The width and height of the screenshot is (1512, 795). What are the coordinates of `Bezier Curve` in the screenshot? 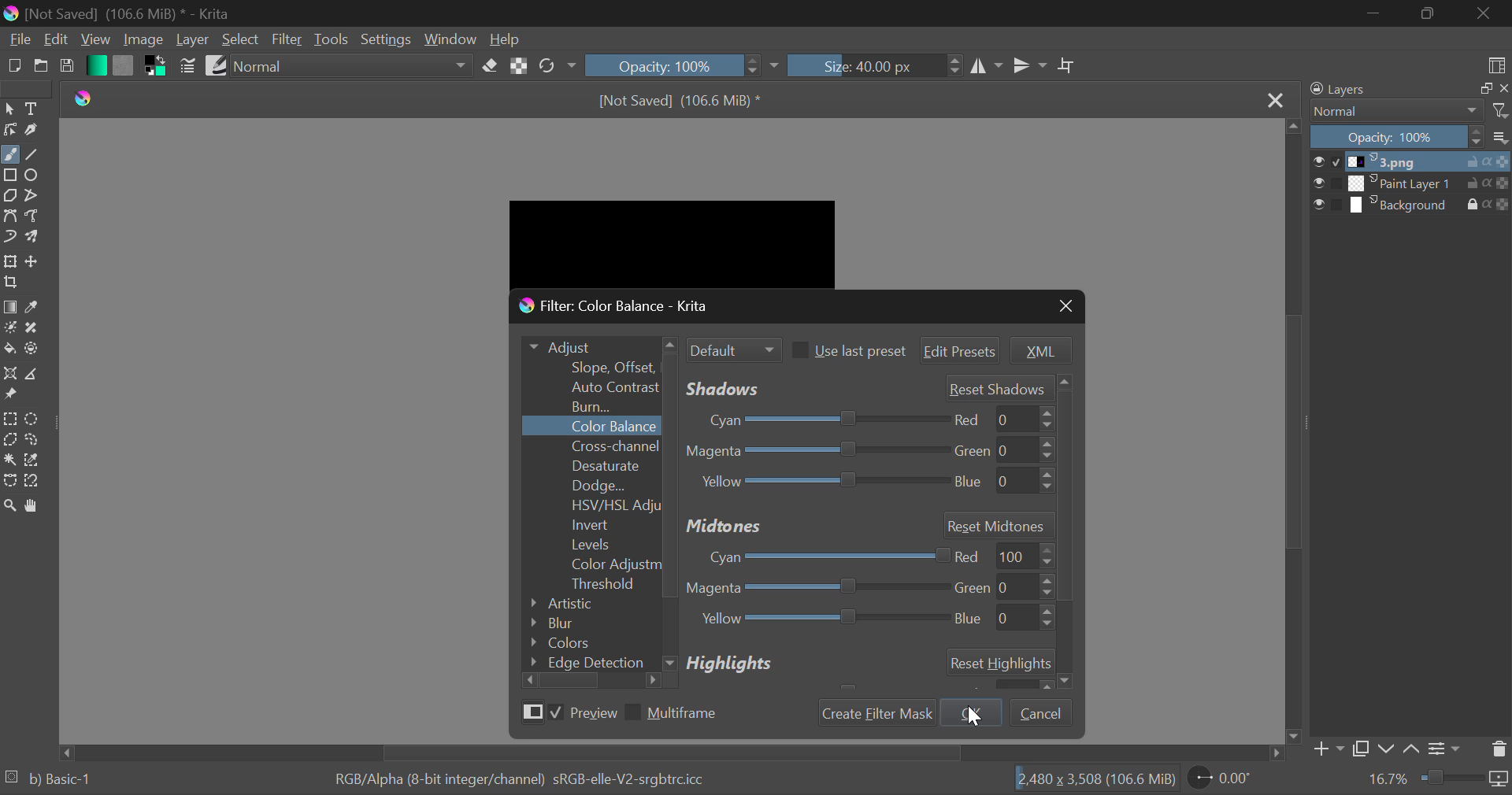 It's located at (13, 217).